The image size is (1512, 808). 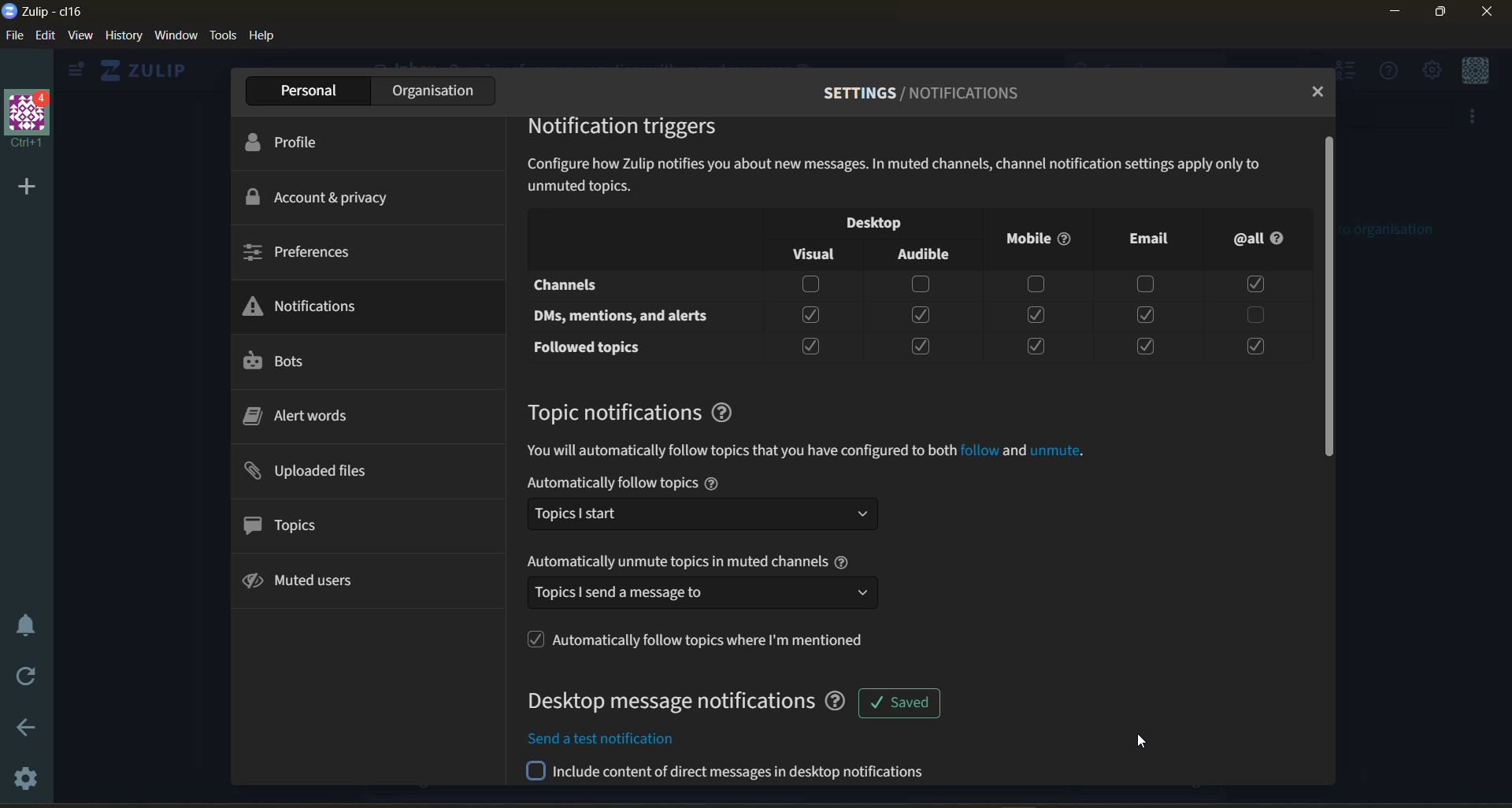 I want to click on send meesage dropdown, so click(x=705, y=595).